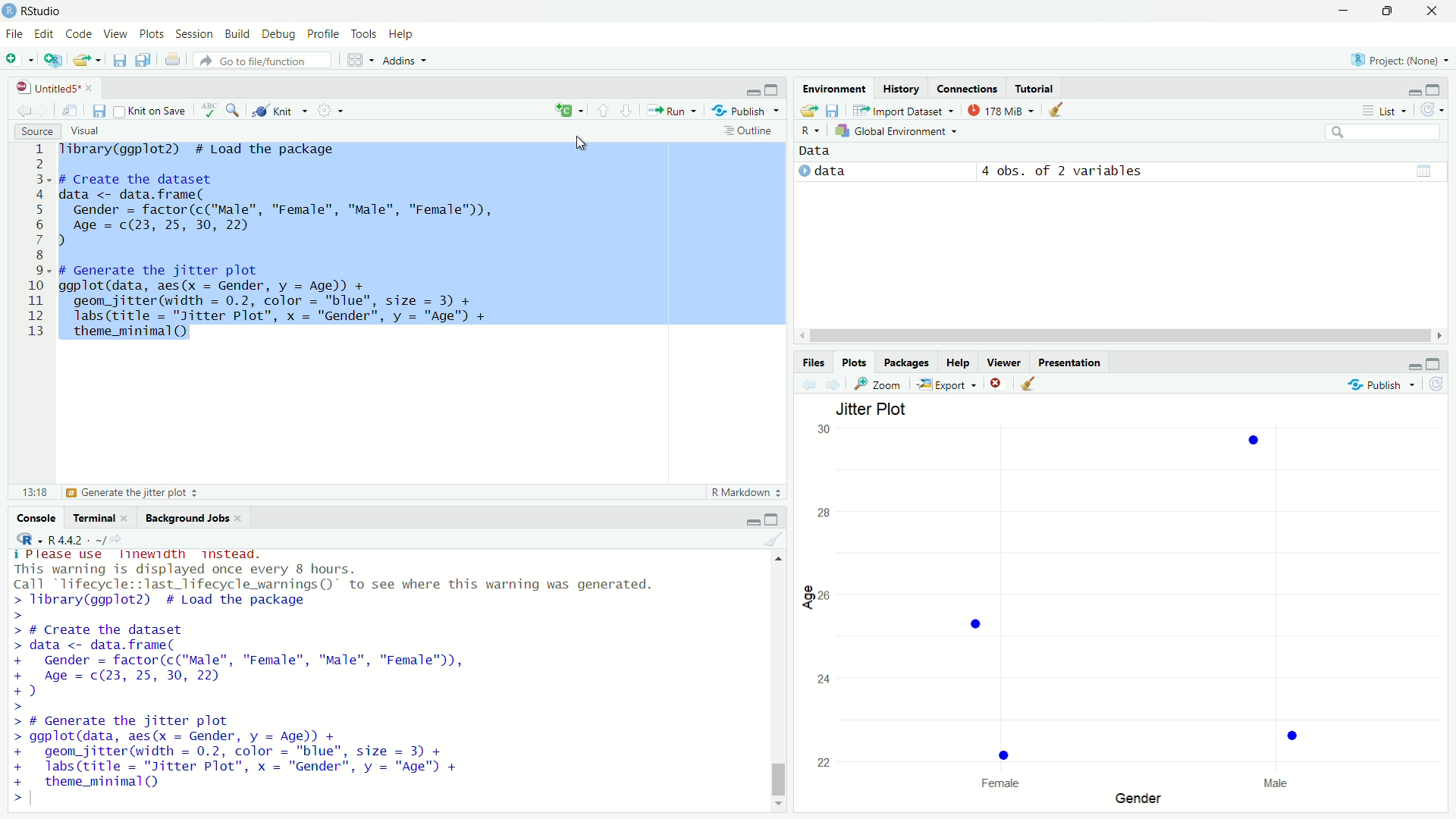  What do you see at coordinates (807, 384) in the screenshot?
I see `previous plot` at bounding box center [807, 384].